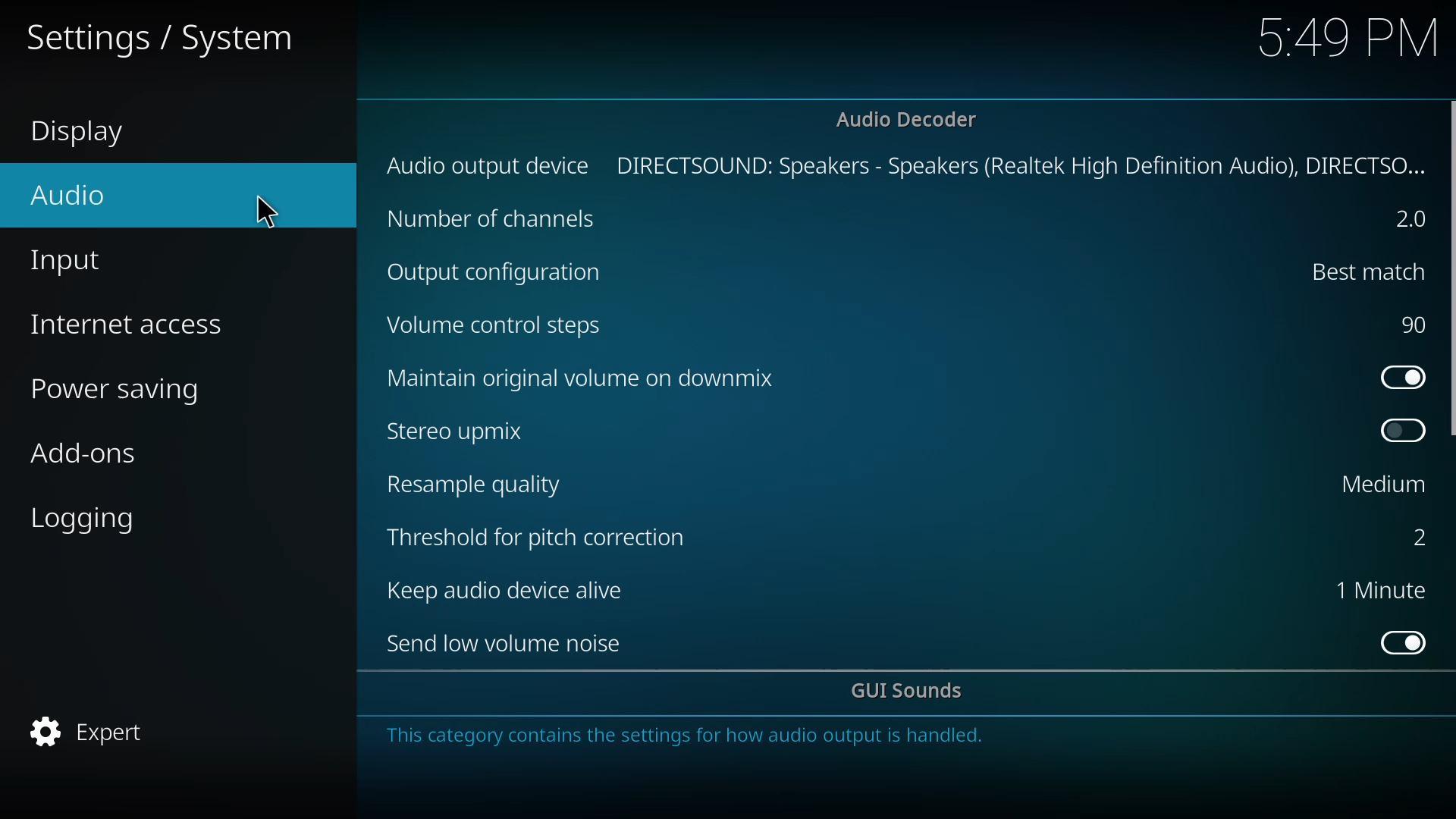 Image resolution: width=1456 pixels, height=819 pixels. What do you see at coordinates (94, 730) in the screenshot?
I see `expert` at bounding box center [94, 730].